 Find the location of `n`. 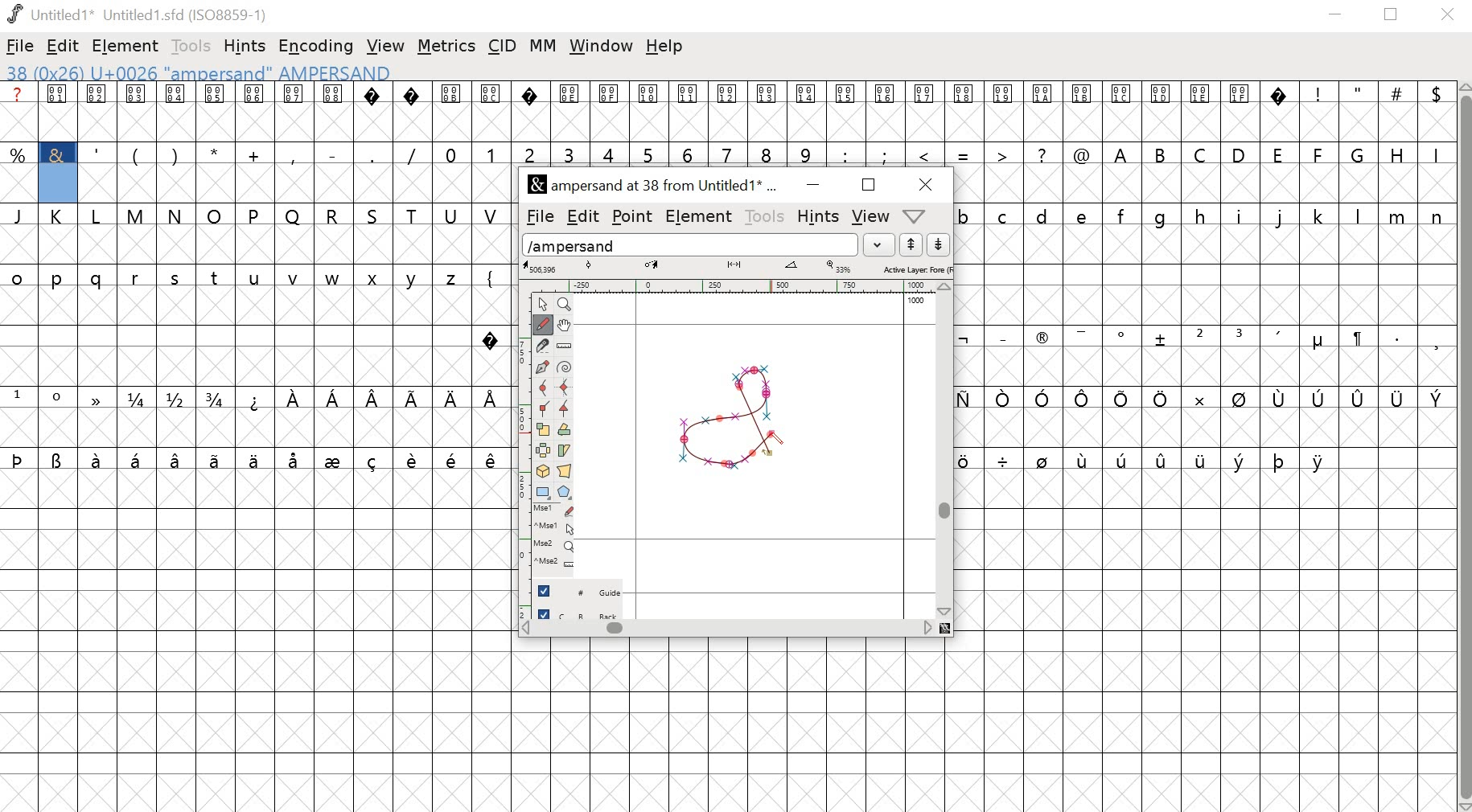

n is located at coordinates (1437, 215).